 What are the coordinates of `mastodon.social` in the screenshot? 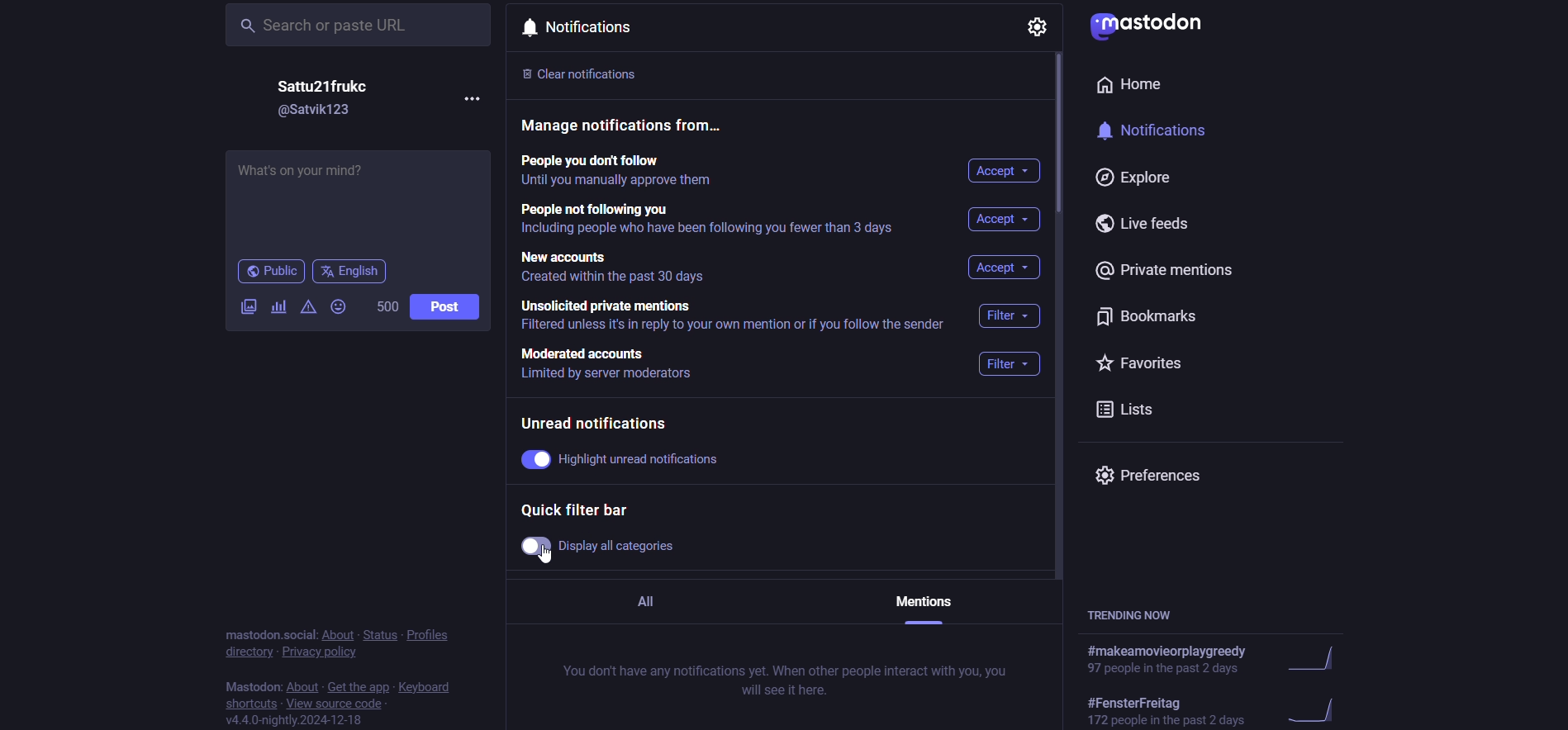 It's located at (264, 635).